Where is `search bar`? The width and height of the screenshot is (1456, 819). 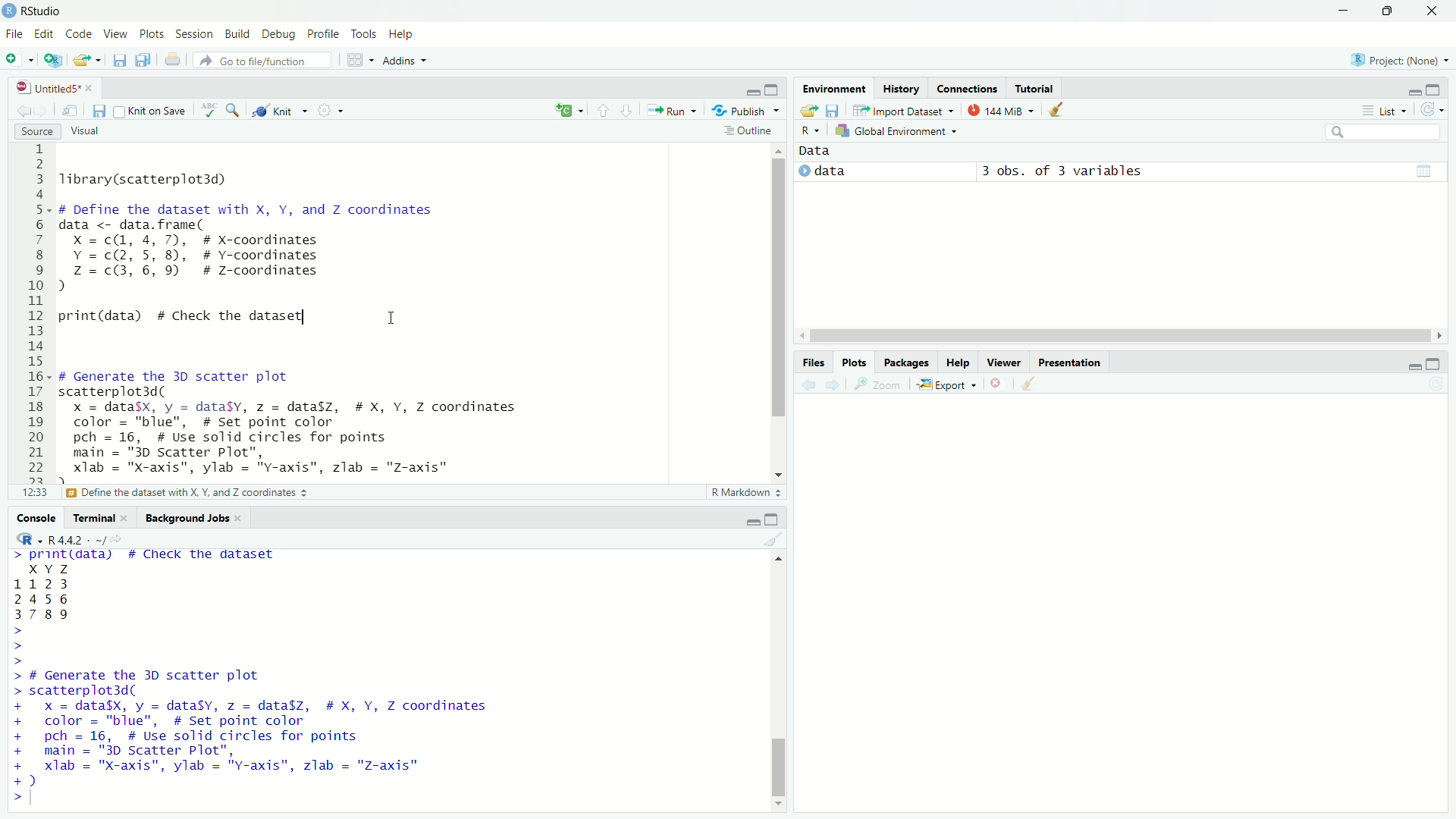 search bar is located at coordinates (1382, 132).